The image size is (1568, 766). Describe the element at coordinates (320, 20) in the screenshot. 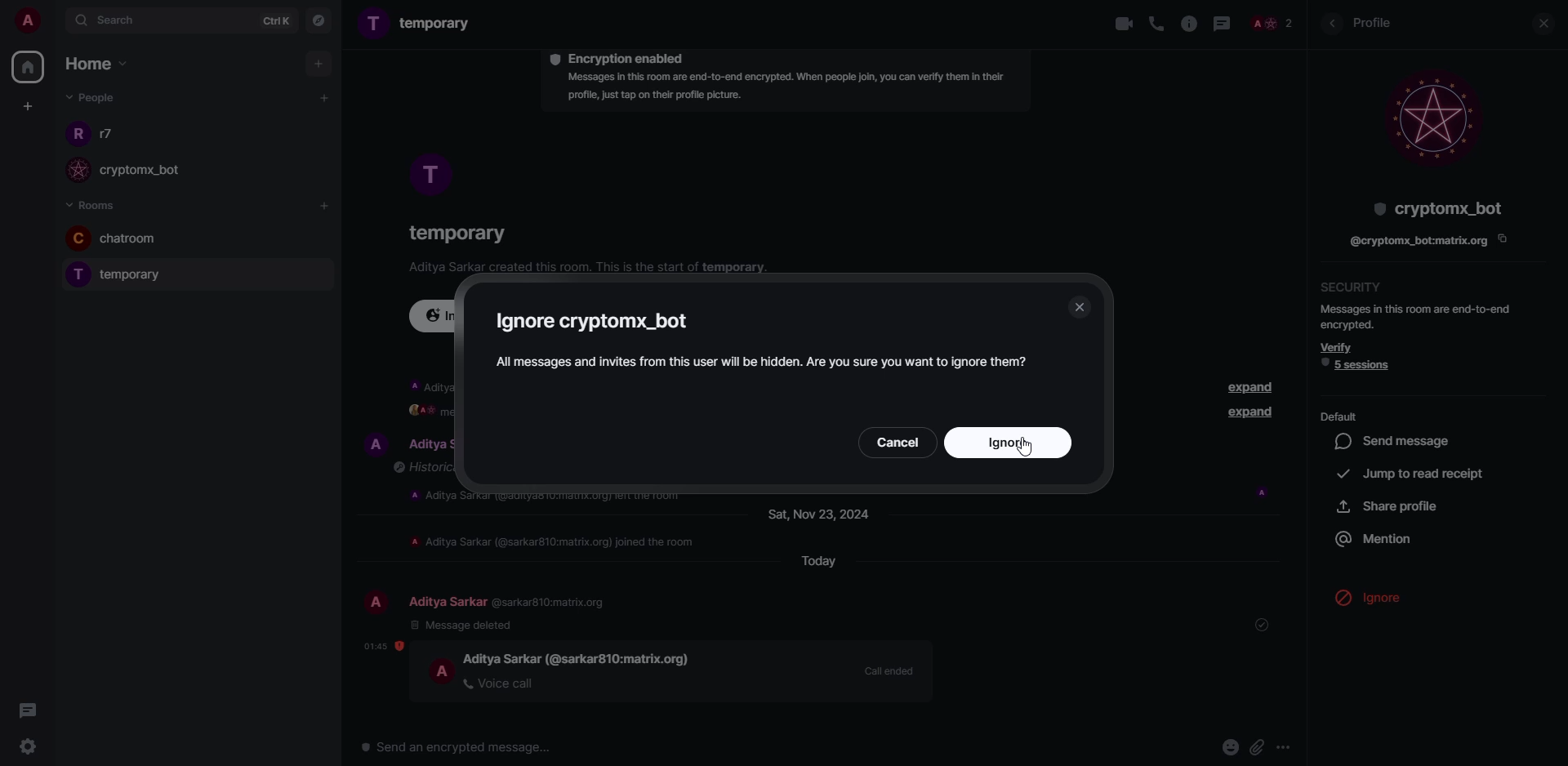

I see `navigator` at that location.